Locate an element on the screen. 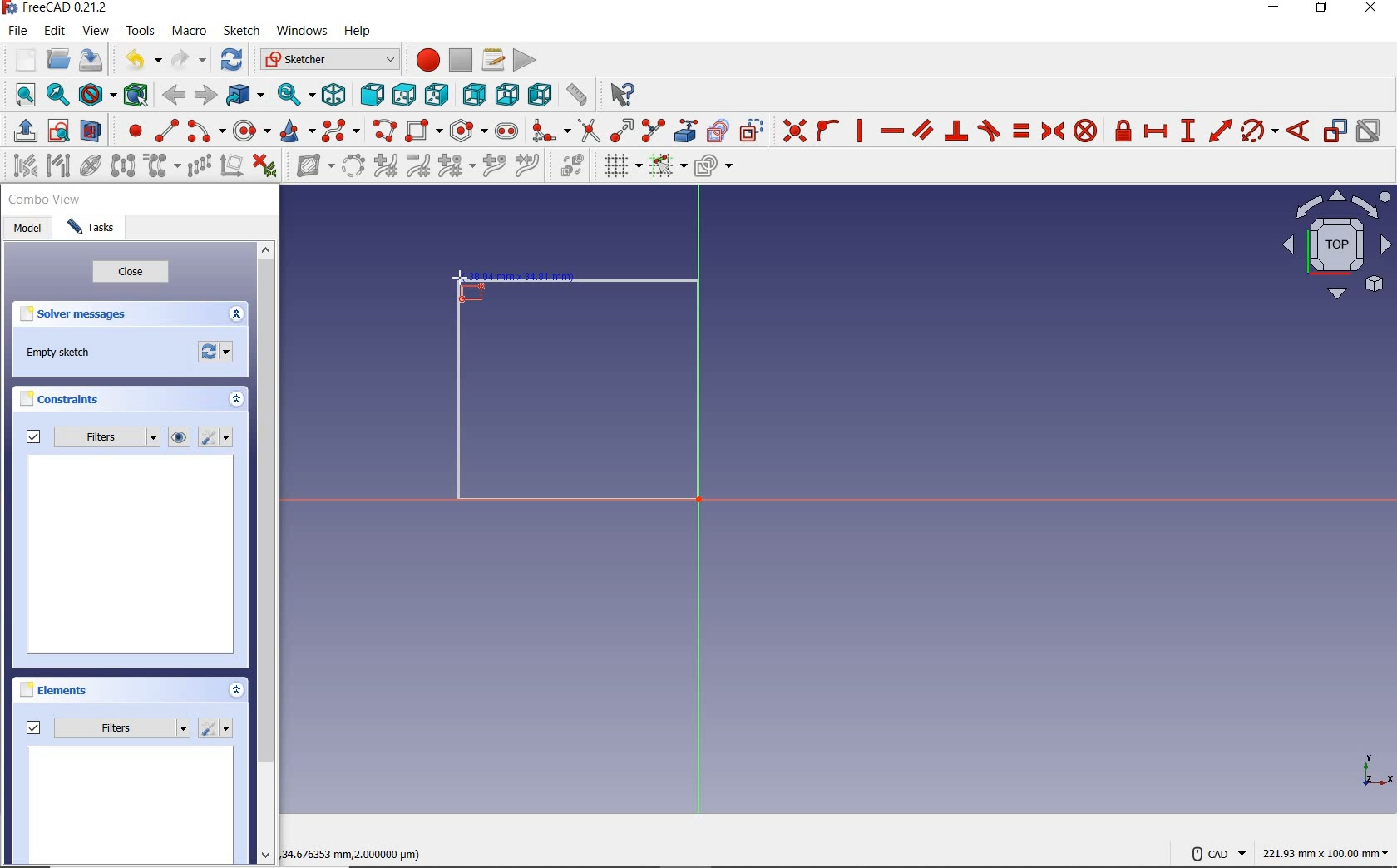  front is located at coordinates (370, 96).